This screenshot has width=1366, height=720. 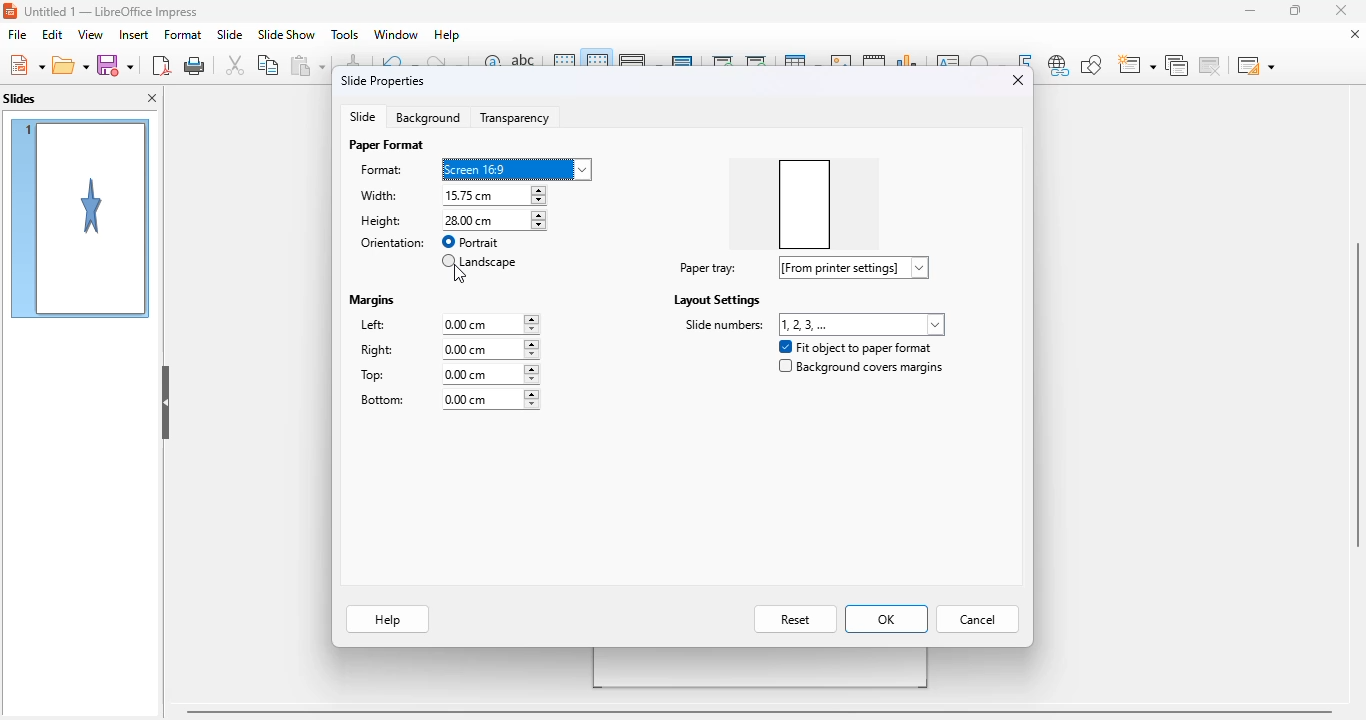 What do you see at coordinates (511, 118) in the screenshot?
I see `transparency` at bounding box center [511, 118].